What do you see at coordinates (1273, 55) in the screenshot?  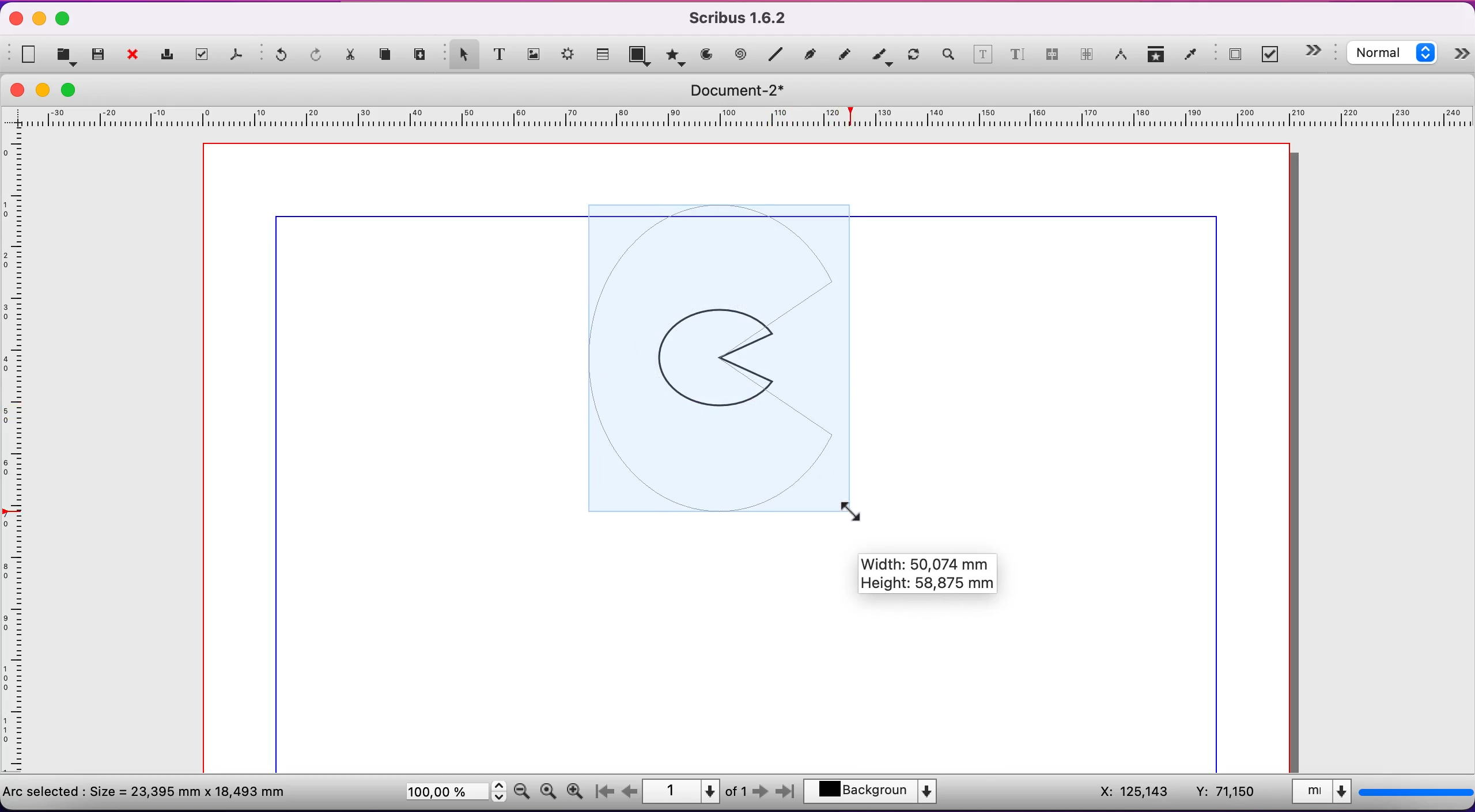 I see `inser pdf check box` at bounding box center [1273, 55].